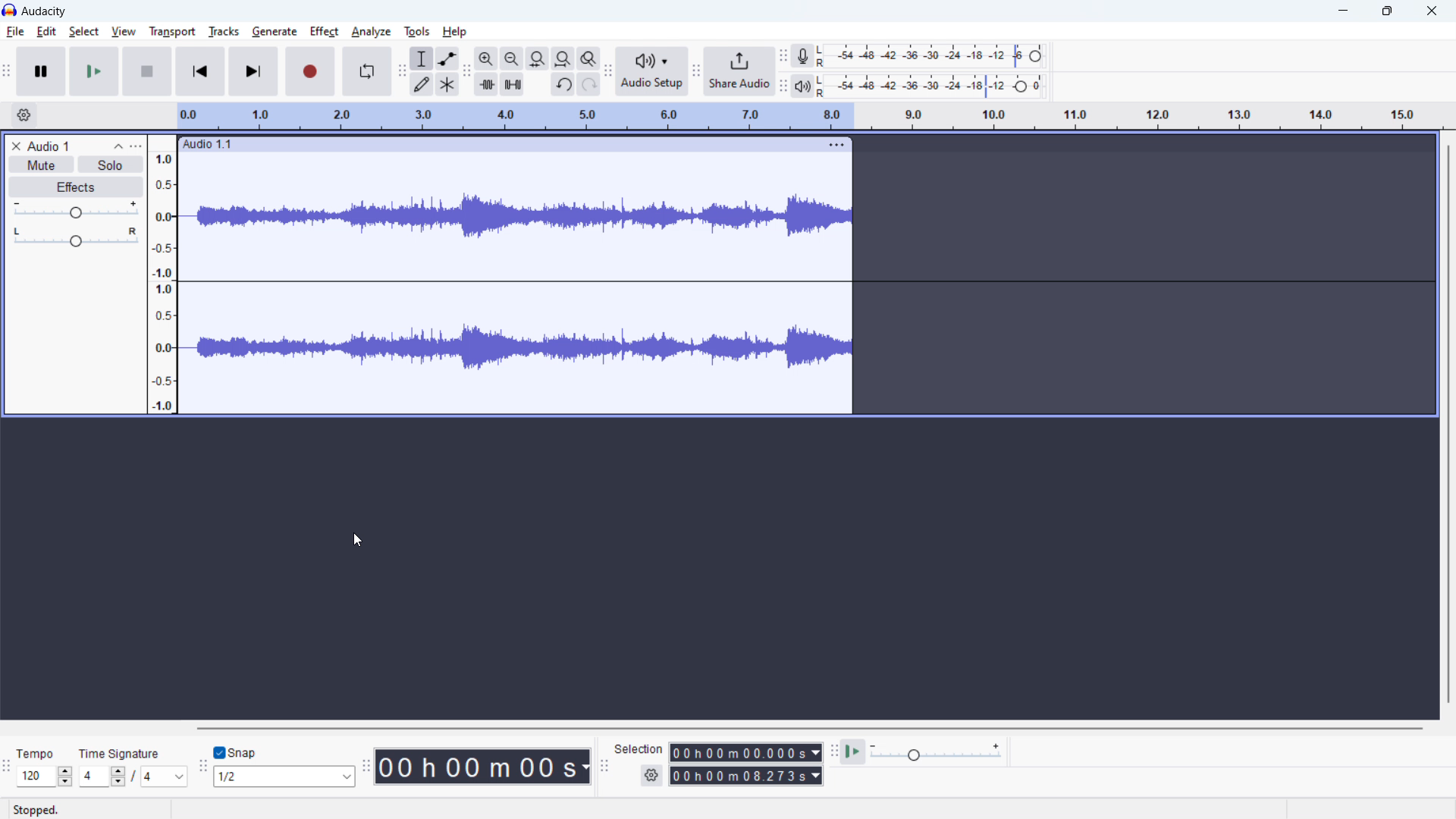 Image resolution: width=1456 pixels, height=819 pixels. I want to click on start, so click(94, 71).